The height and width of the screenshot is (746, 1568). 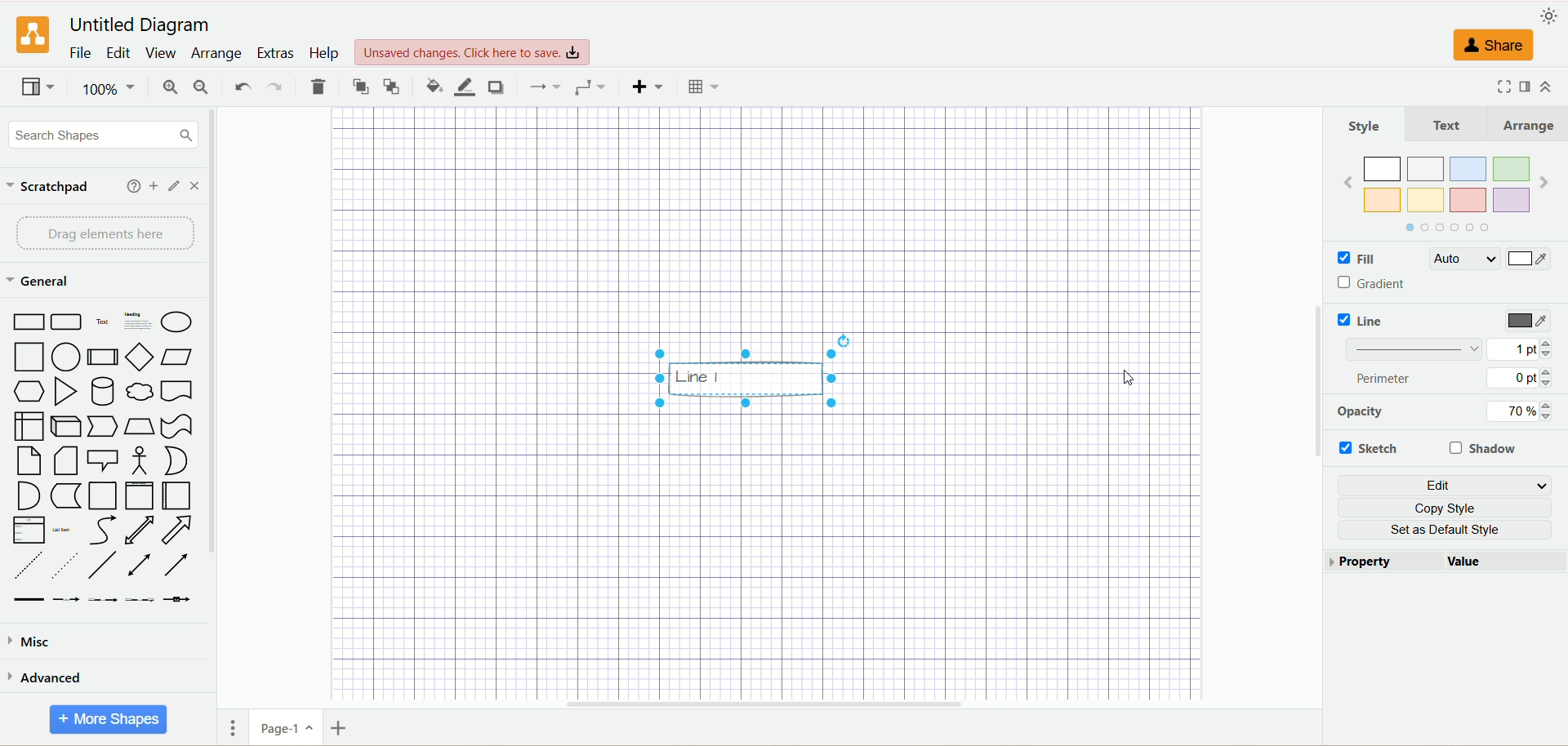 I want to click on Triangle, so click(x=65, y=392).